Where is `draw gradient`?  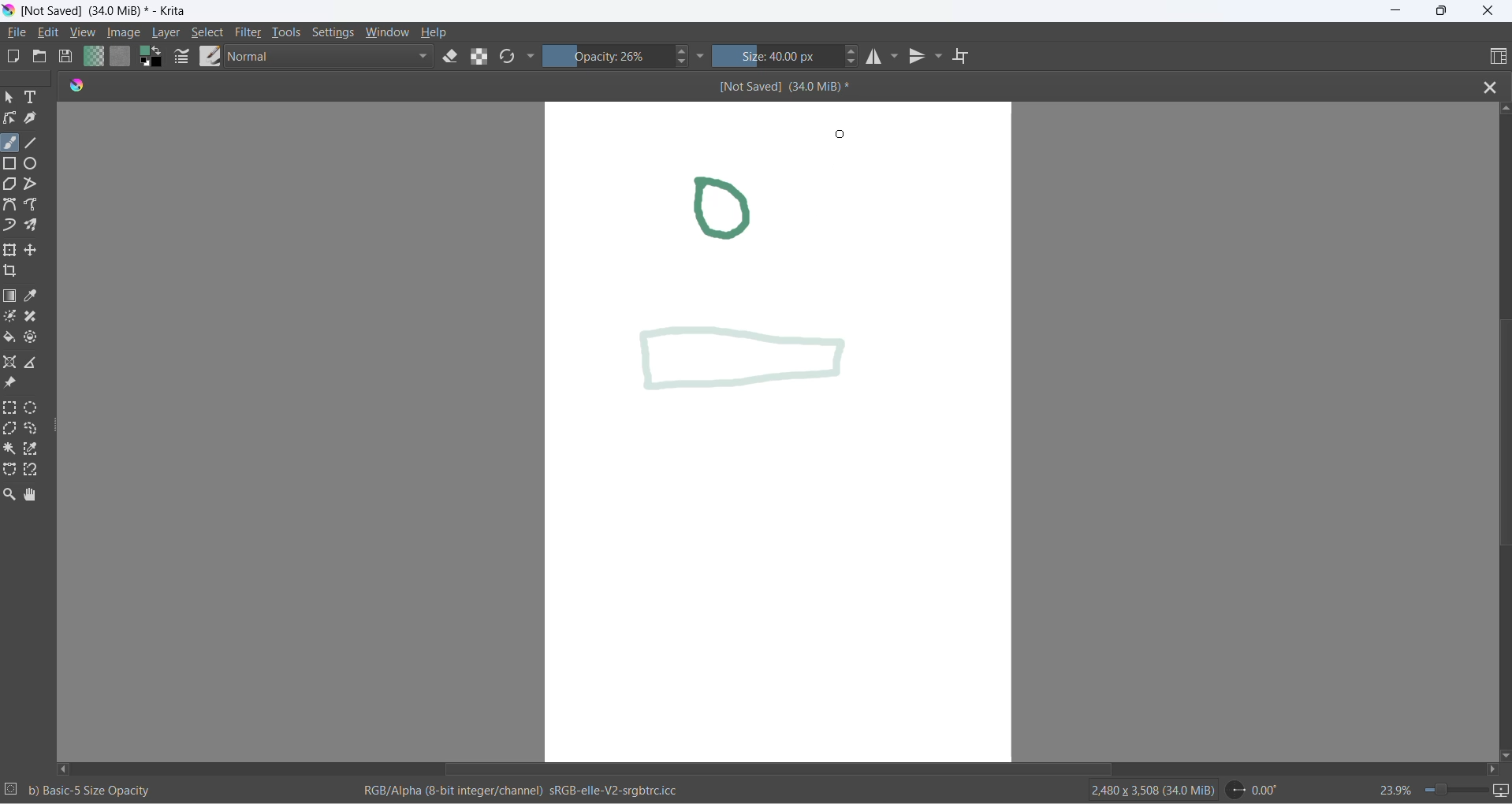
draw gradient is located at coordinates (11, 297).